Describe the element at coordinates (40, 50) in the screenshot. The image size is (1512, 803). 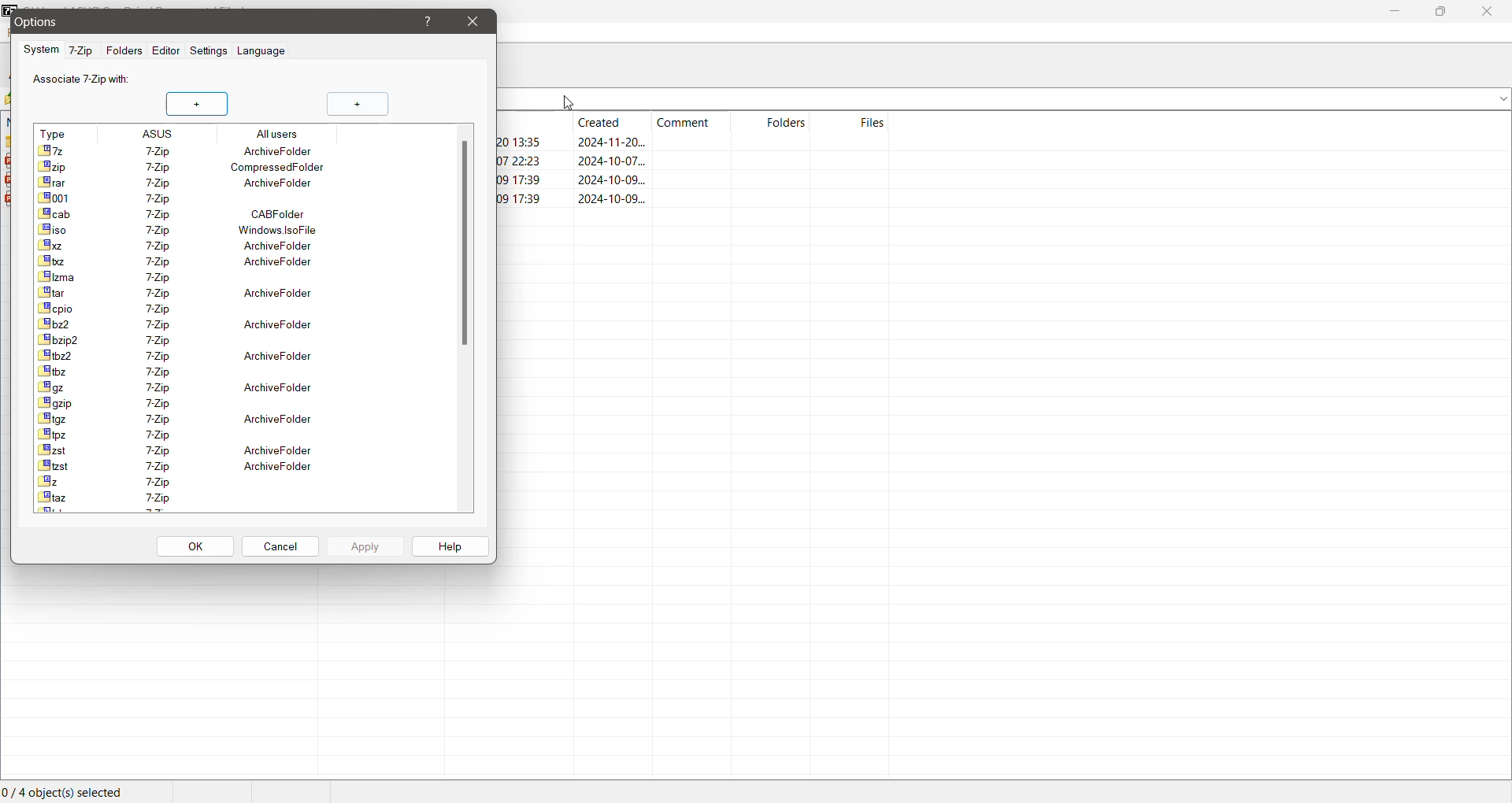
I see `System` at that location.